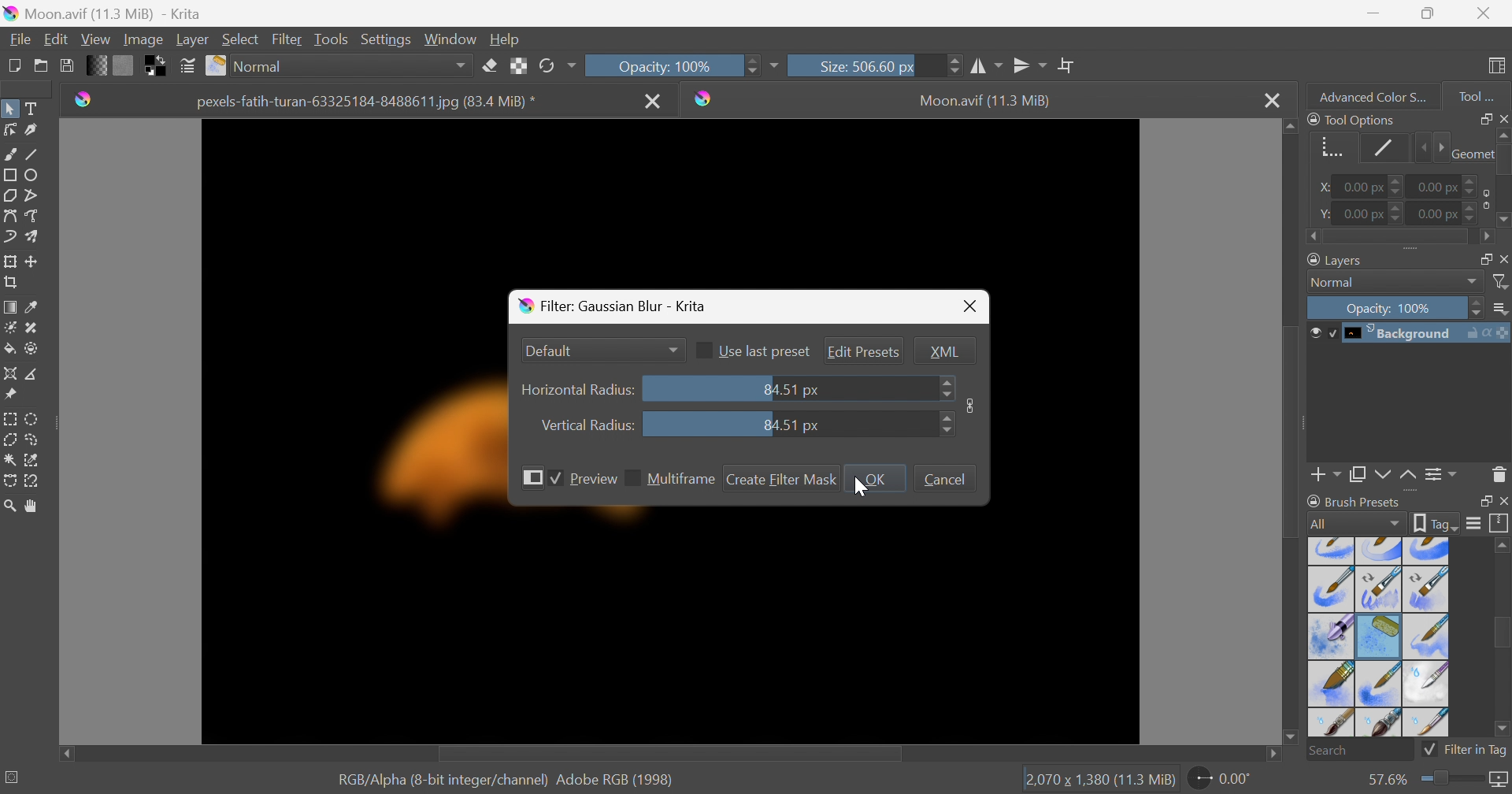  What do you see at coordinates (1436, 524) in the screenshot?
I see `tag` at bounding box center [1436, 524].